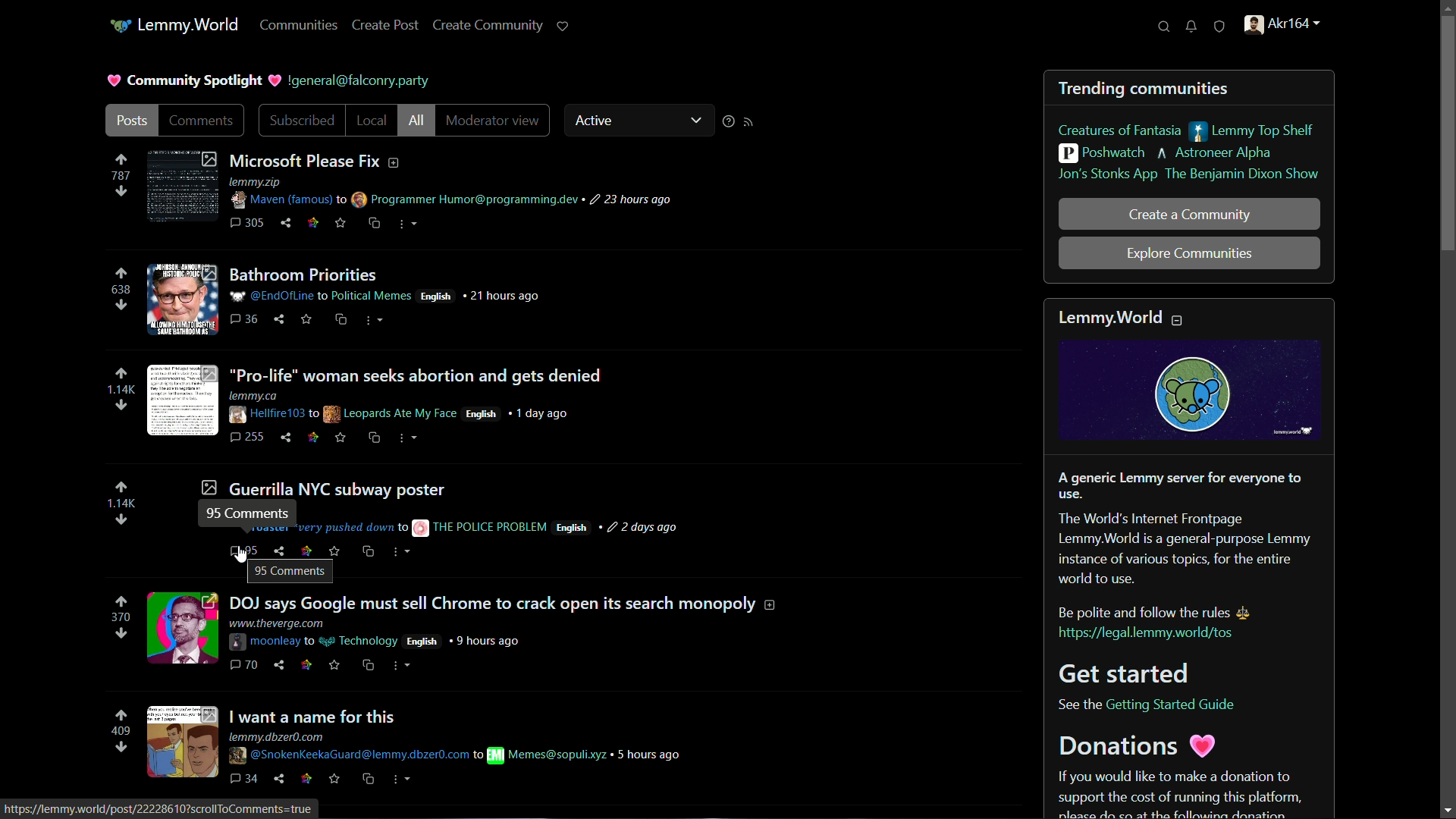  What do you see at coordinates (1176, 704) in the screenshot?
I see `getting started guide` at bounding box center [1176, 704].